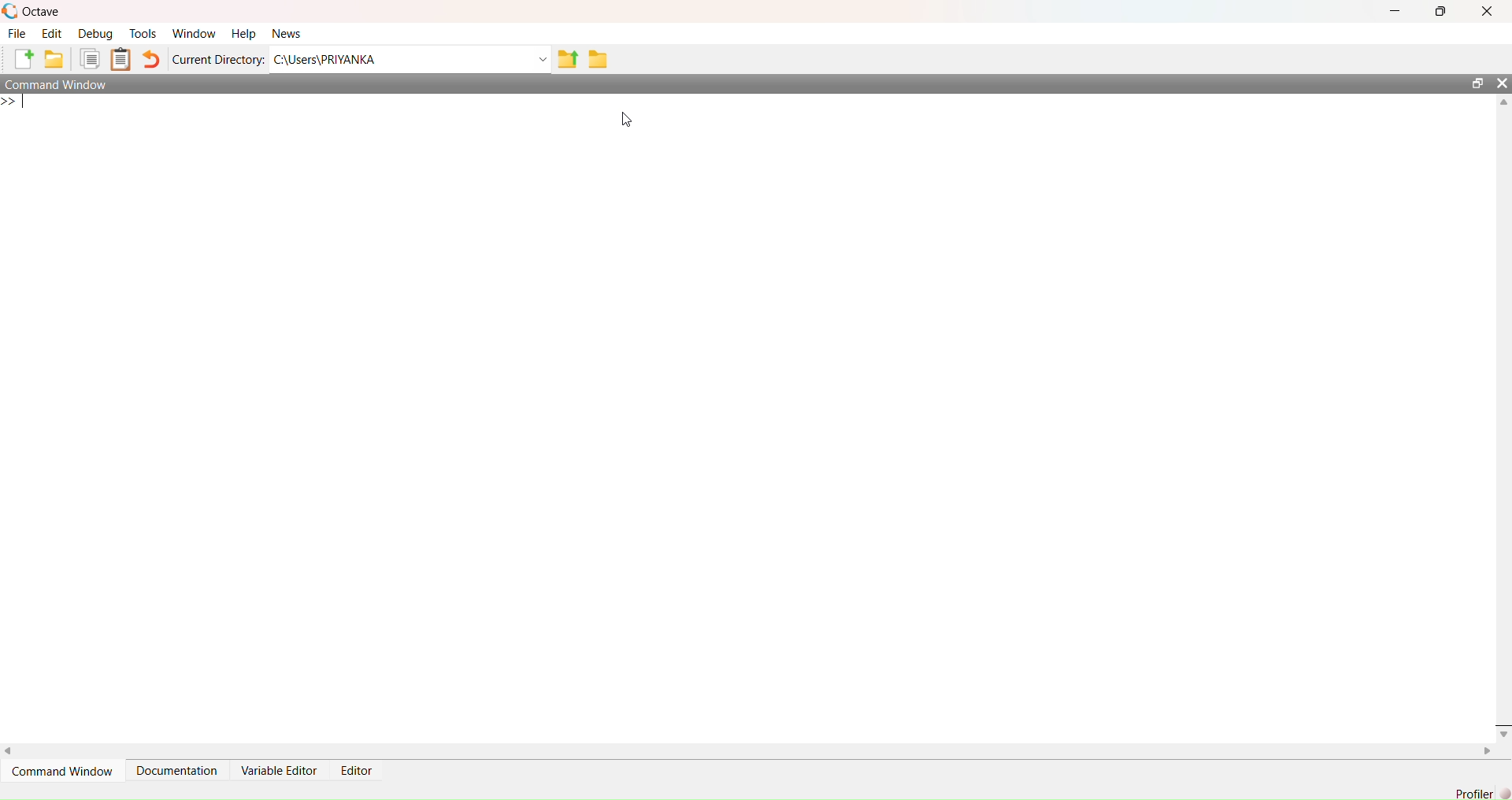 The image size is (1512, 800). What do you see at coordinates (143, 34) in the screenshot?
I see `Tools` at bounding box center [143, 34].